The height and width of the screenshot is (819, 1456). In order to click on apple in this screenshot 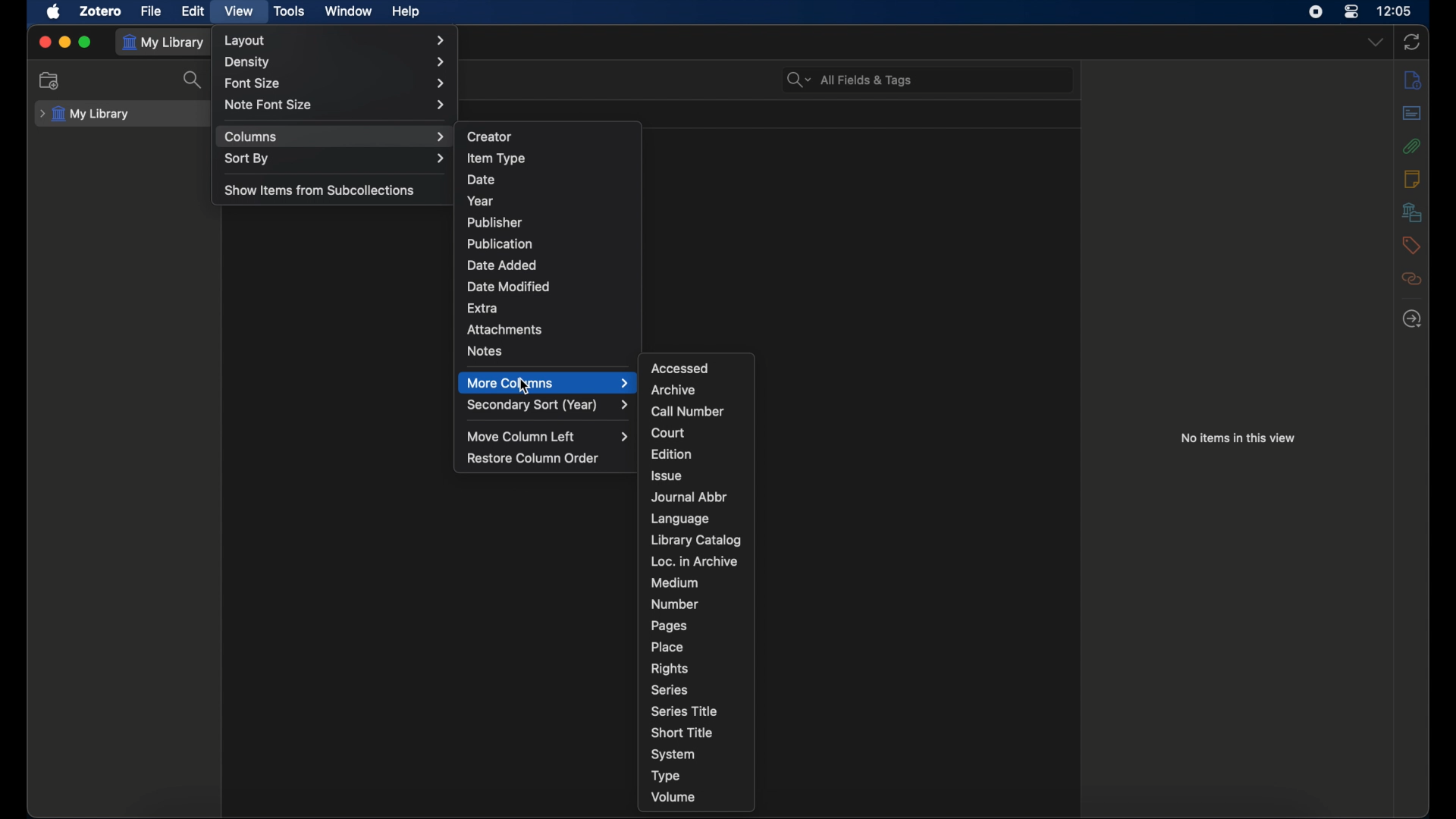, I will do `click(55, 11)`.